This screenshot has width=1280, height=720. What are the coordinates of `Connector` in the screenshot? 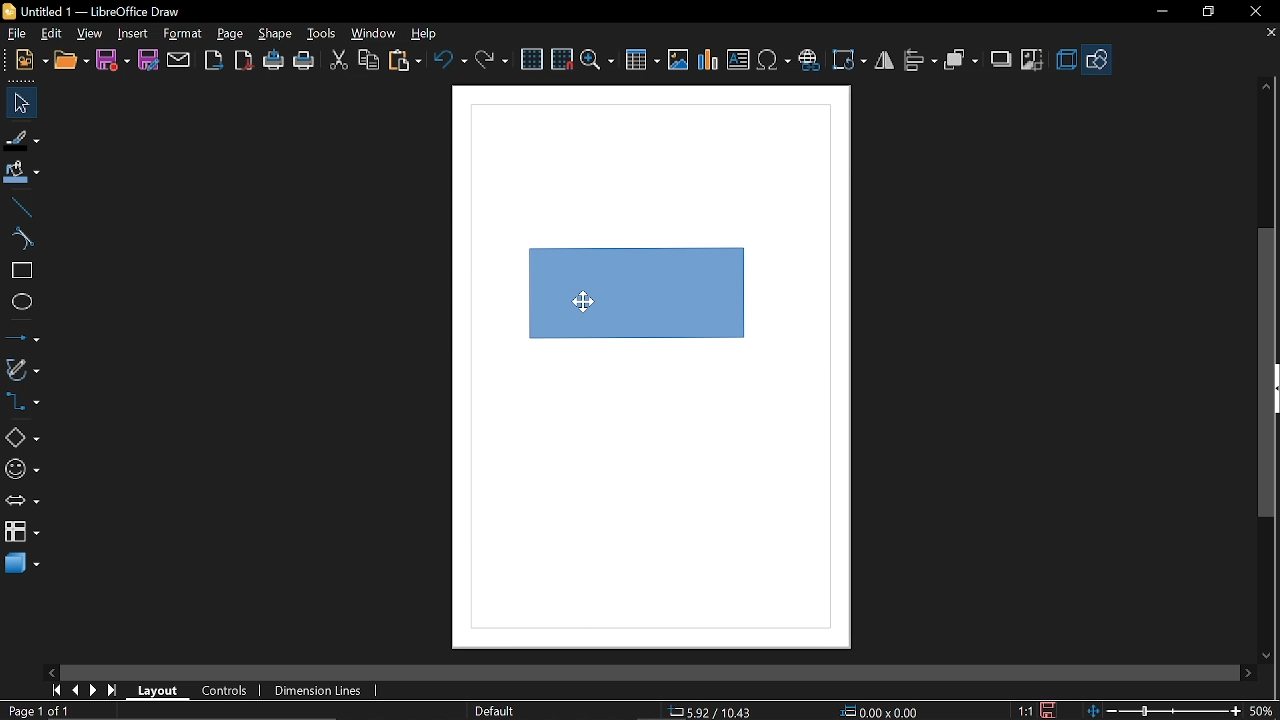 It's located at (22, 404).